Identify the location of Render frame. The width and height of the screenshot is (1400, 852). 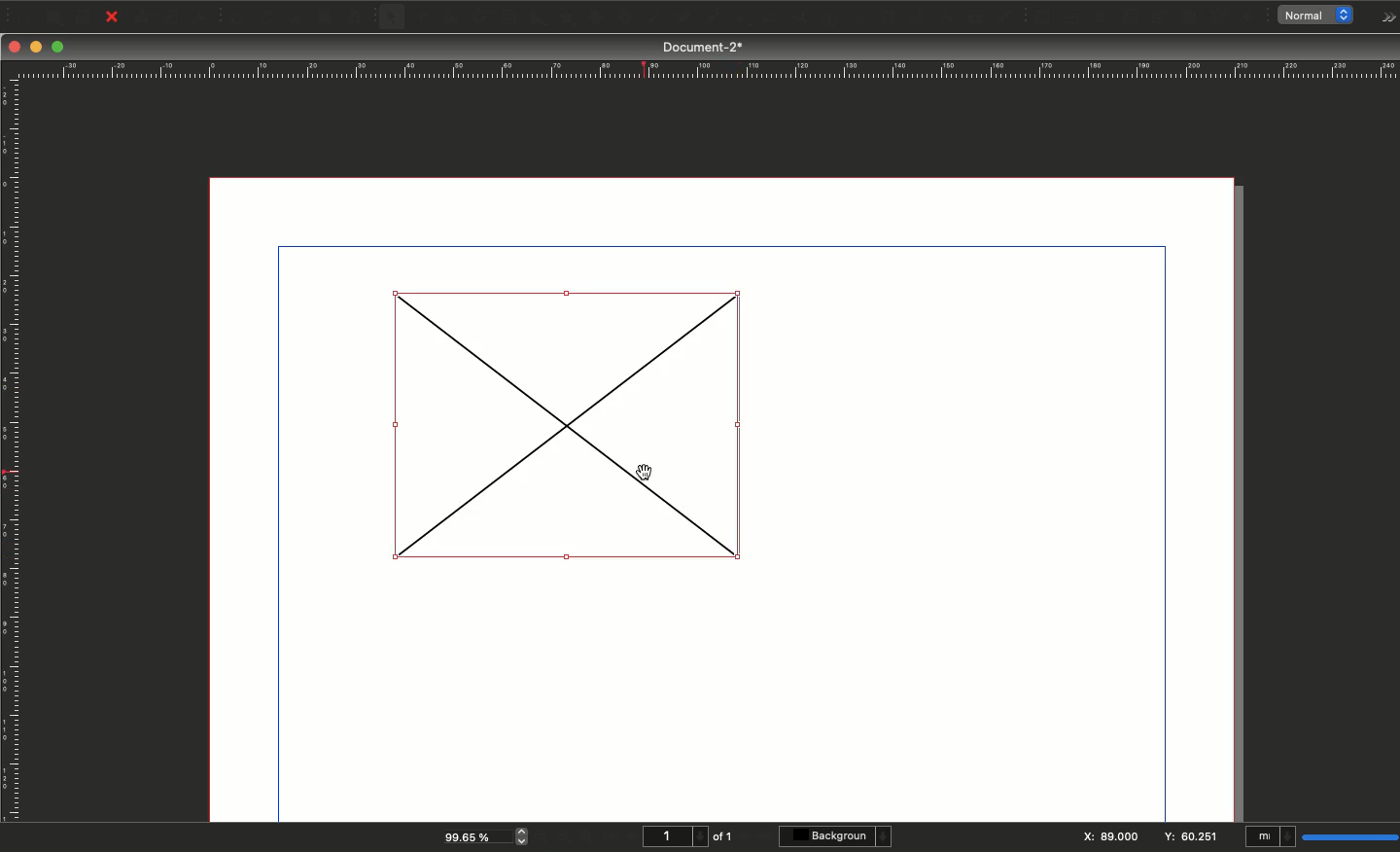
(477, 18).